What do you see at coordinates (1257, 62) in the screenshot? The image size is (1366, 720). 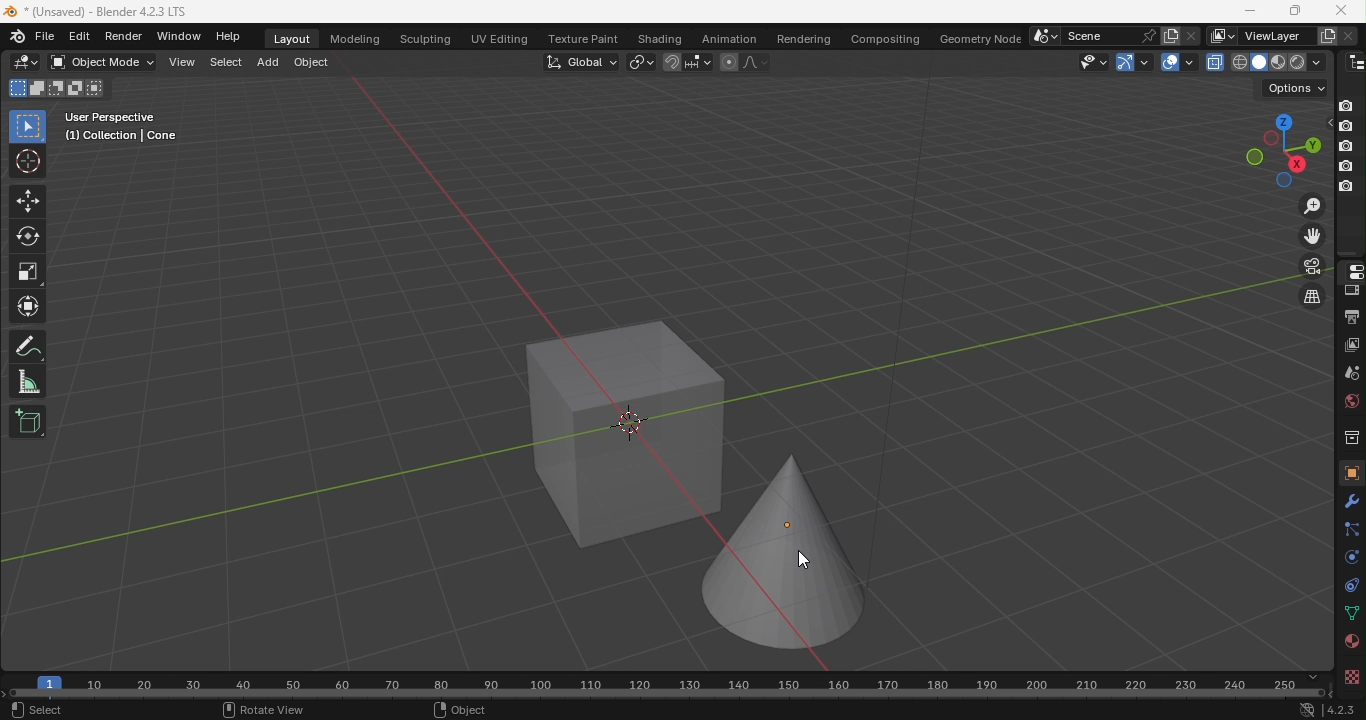 I see `viewpoint shader: solid` at bounding box center [1257, 62].